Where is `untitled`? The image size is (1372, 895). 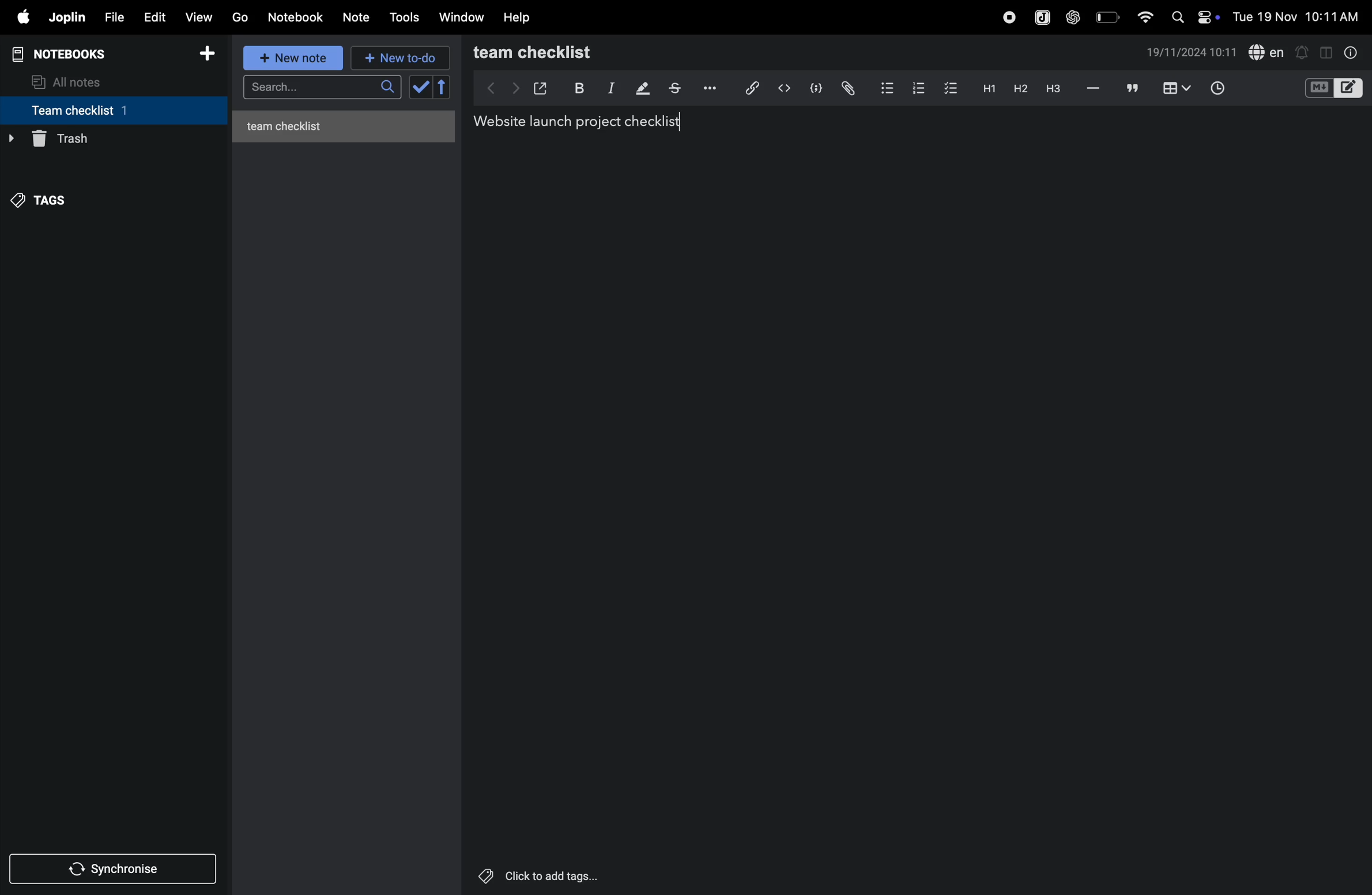
untitled is located at coordinates (348, 123).